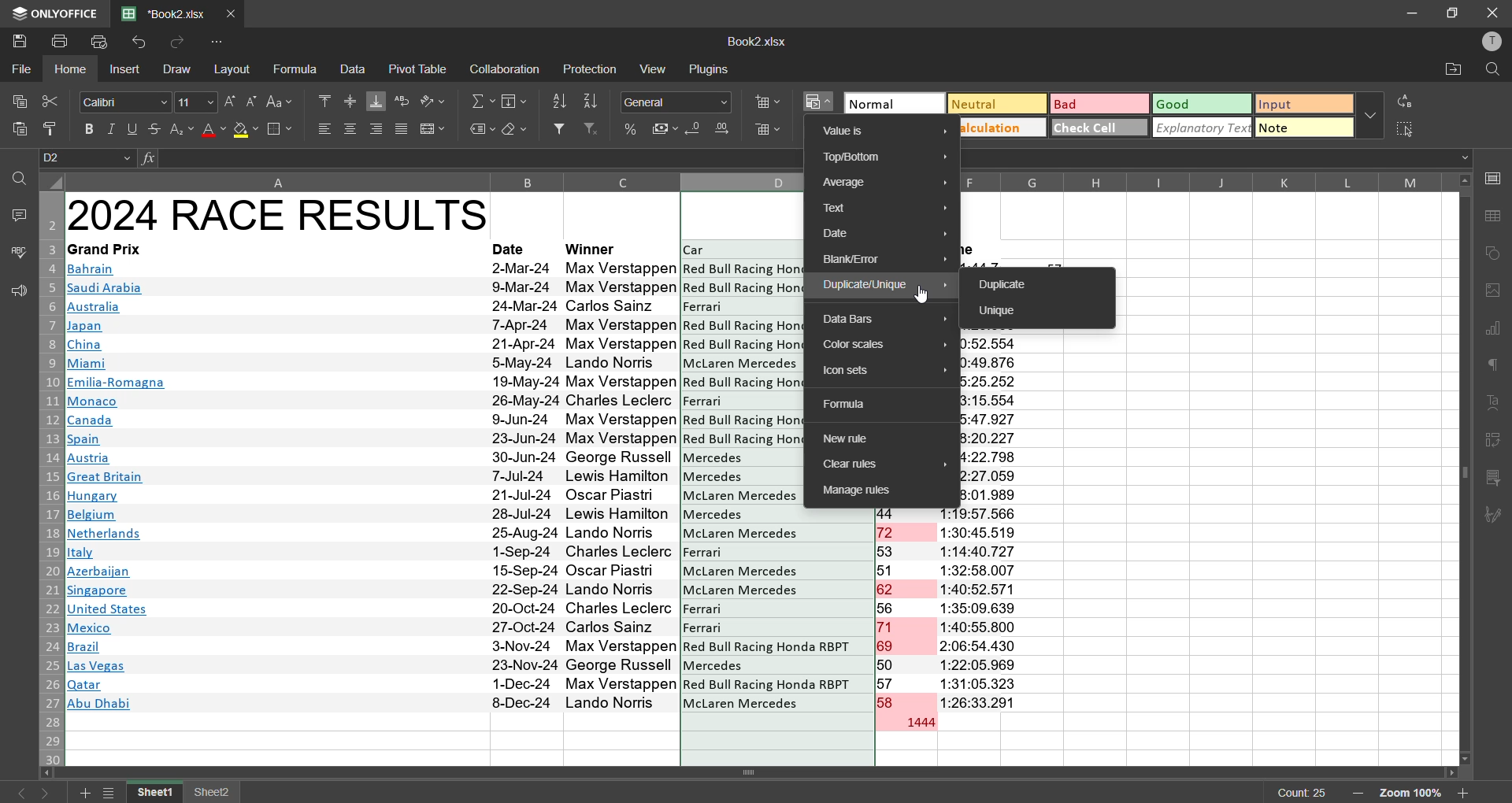 Image resolution: width=1512 pixels, height=803 pixels. Describe the element at coordinates (885, 318) in the screenshot. I see `data bars` at that location.